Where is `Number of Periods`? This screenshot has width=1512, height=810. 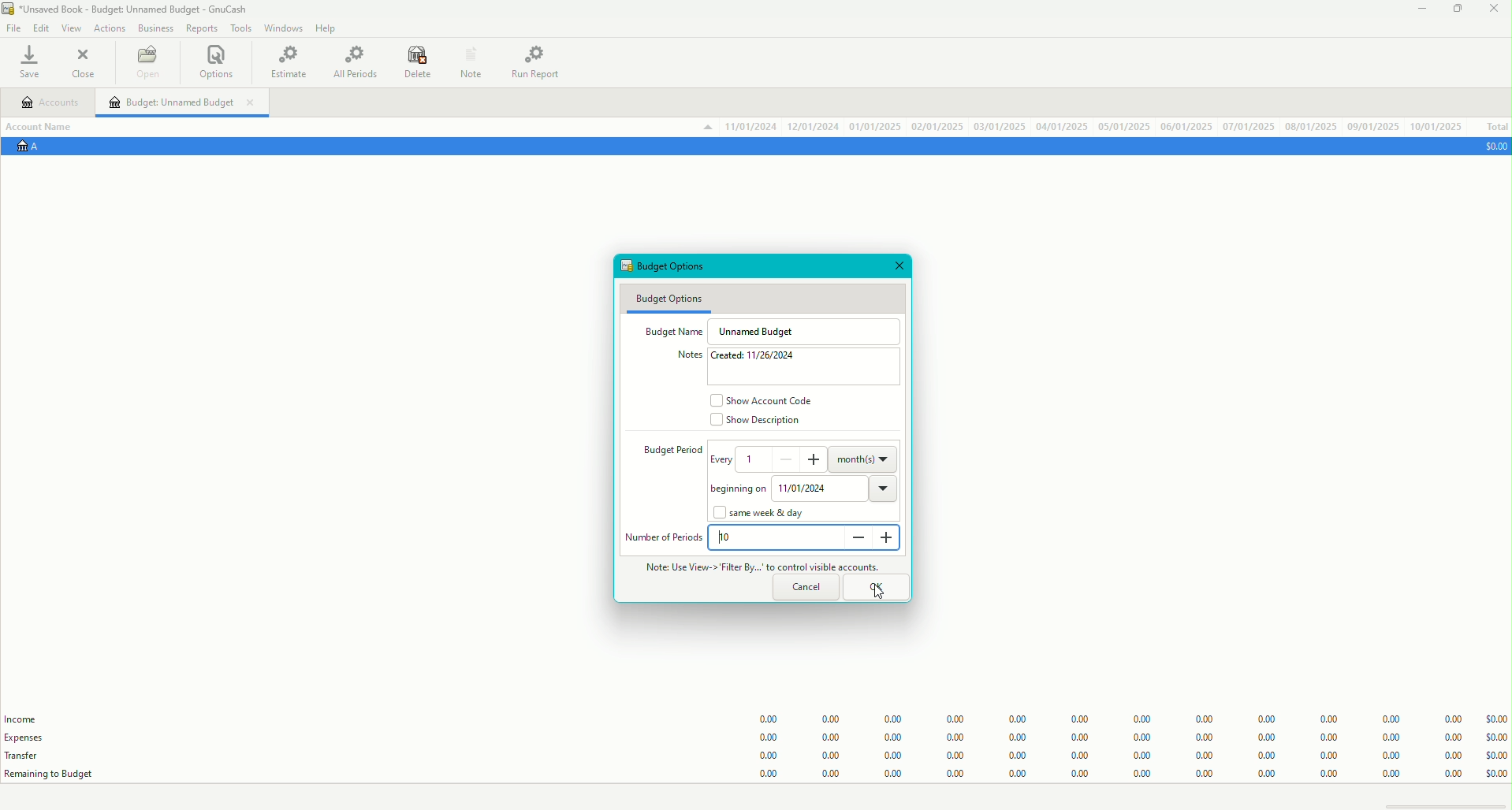 Number of Periods is located at coordinates (665, 537).